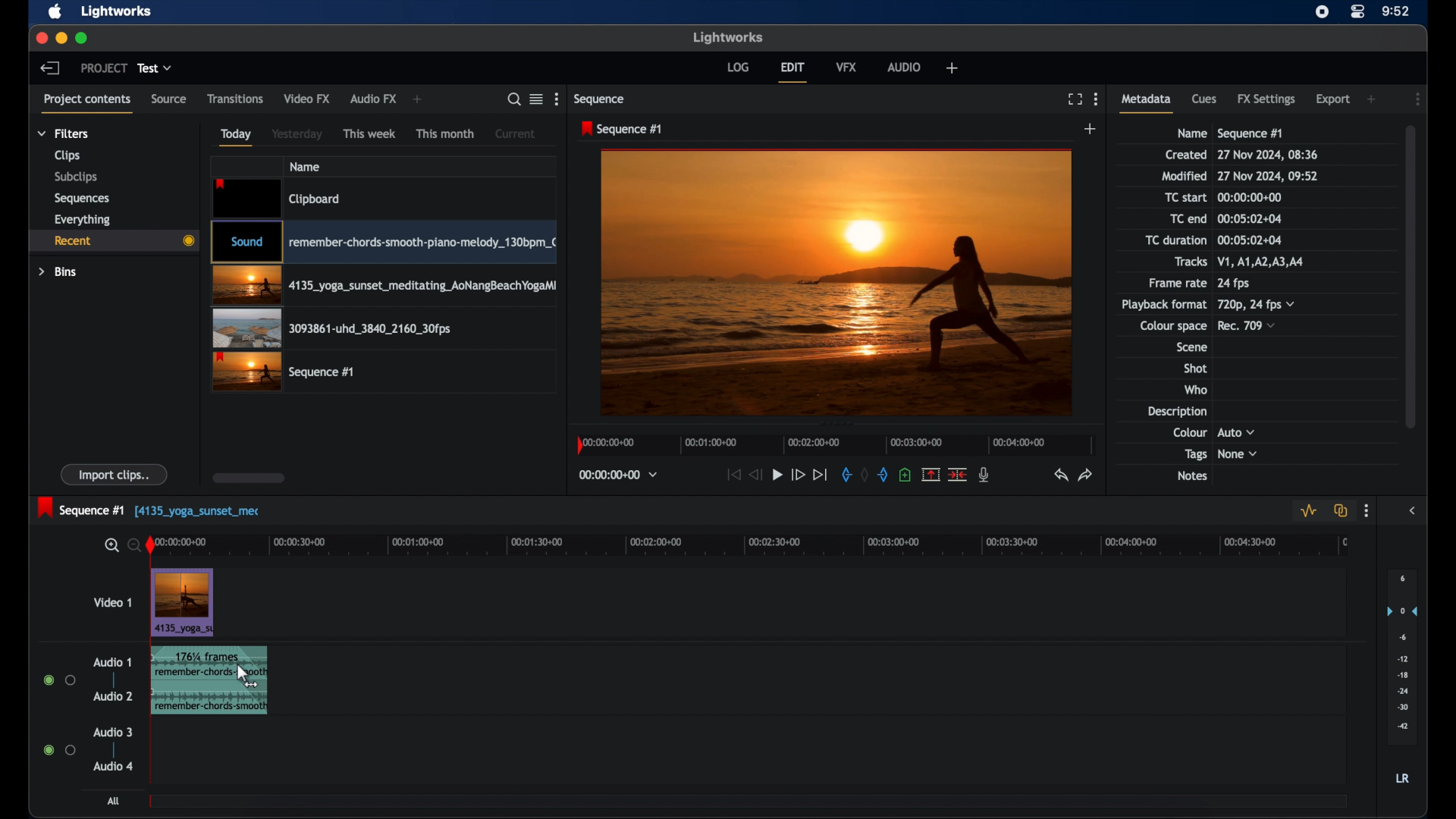  I want to click on scroll box, so click(1414, 275).